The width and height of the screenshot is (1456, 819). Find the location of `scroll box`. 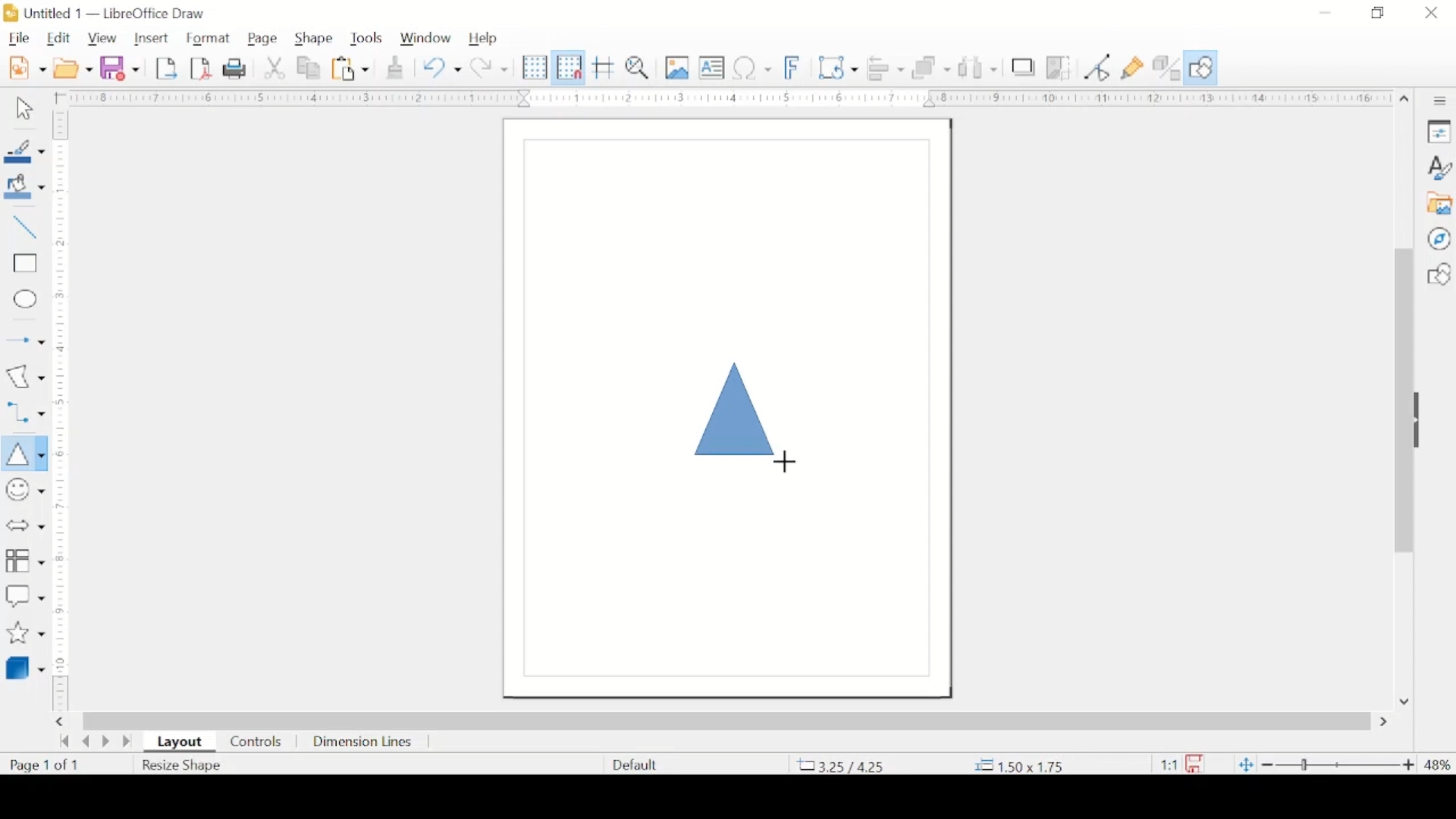

scroll box is located at coordinates (1400, 403).